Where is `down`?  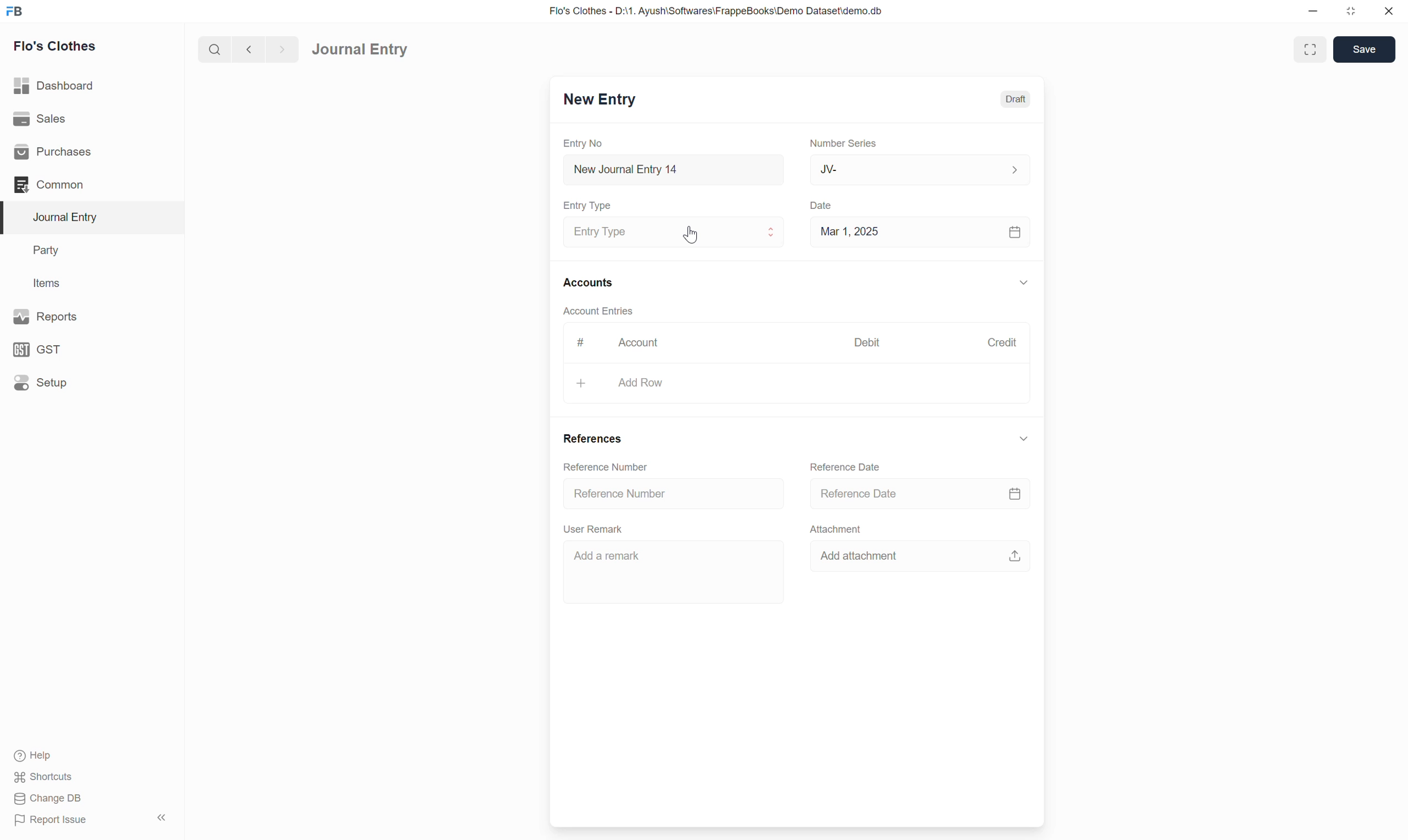 down is located at coordinates (1024, 438).